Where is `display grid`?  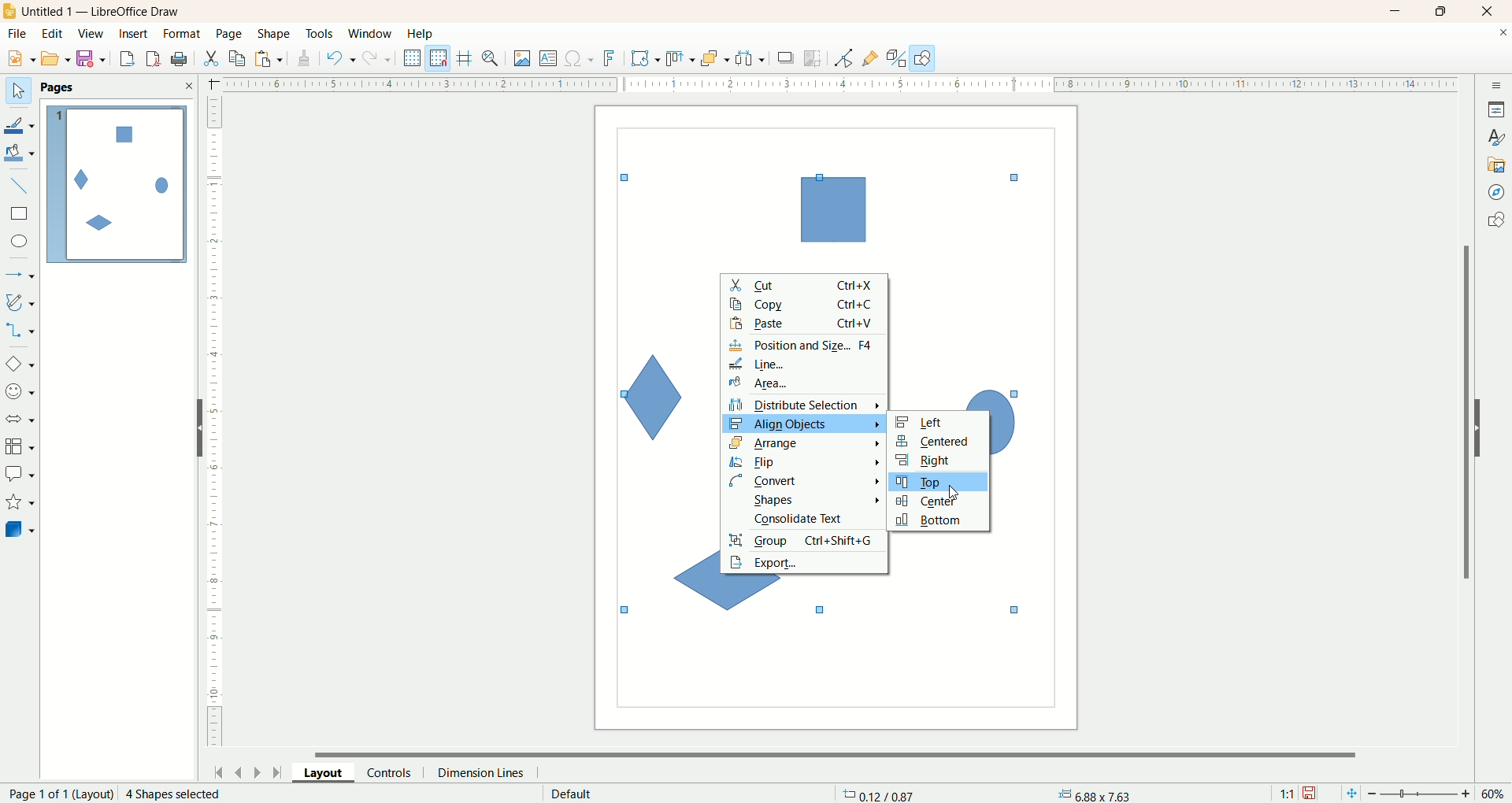 display grid is located at coordinates (413, 57).